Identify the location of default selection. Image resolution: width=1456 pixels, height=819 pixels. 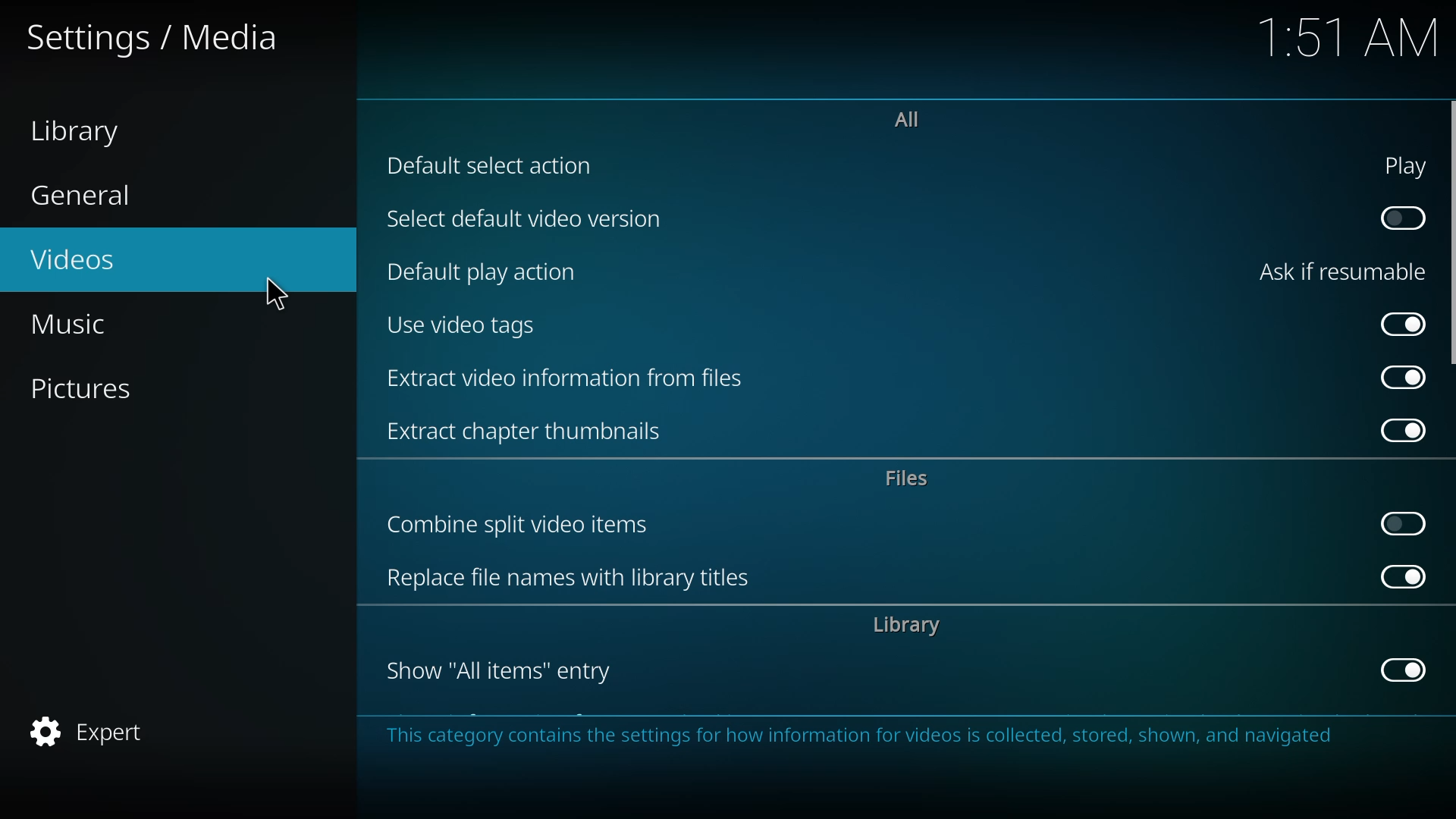
(494, 166).